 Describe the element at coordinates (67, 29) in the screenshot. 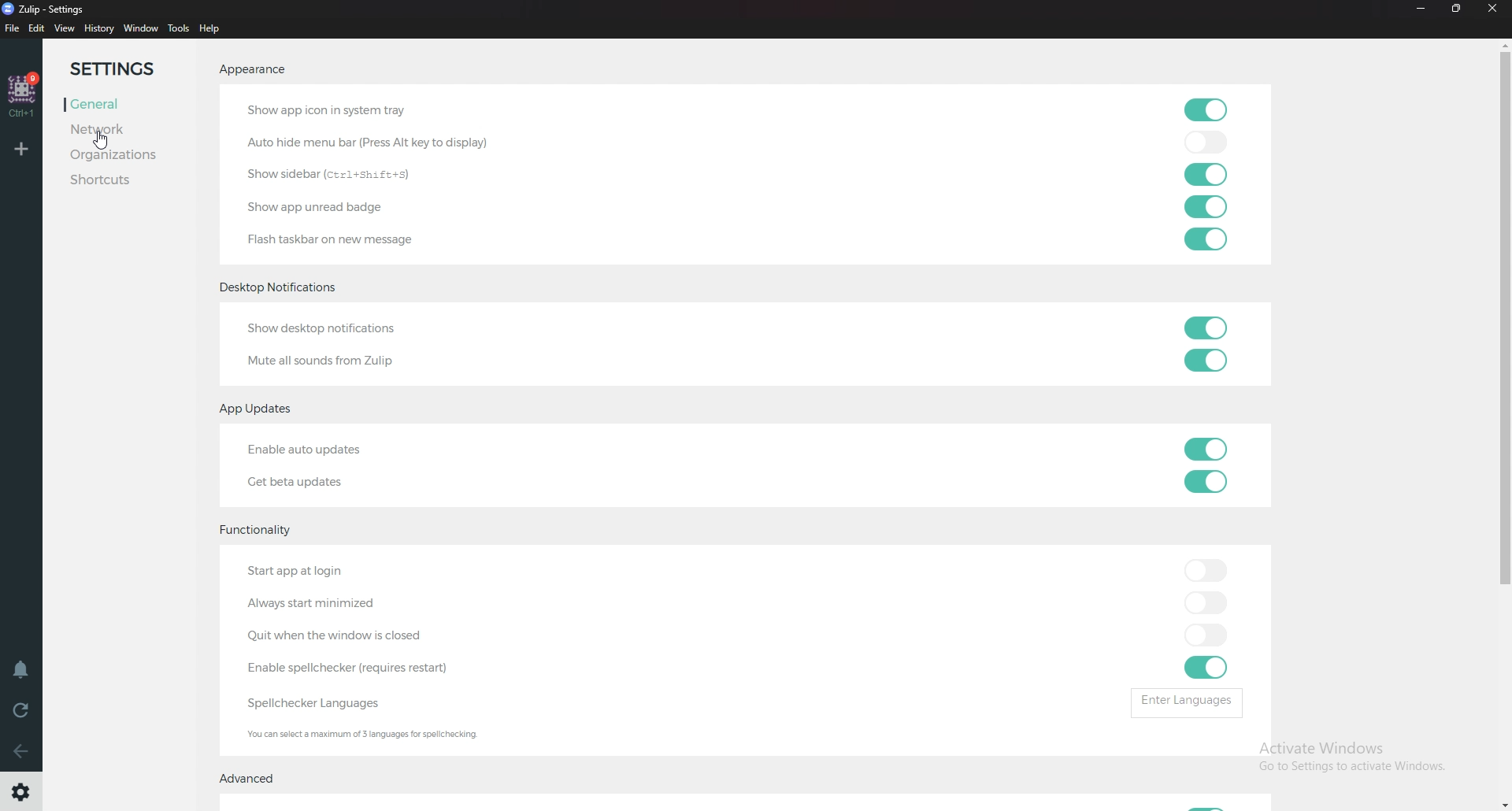

I see `view` at that location.